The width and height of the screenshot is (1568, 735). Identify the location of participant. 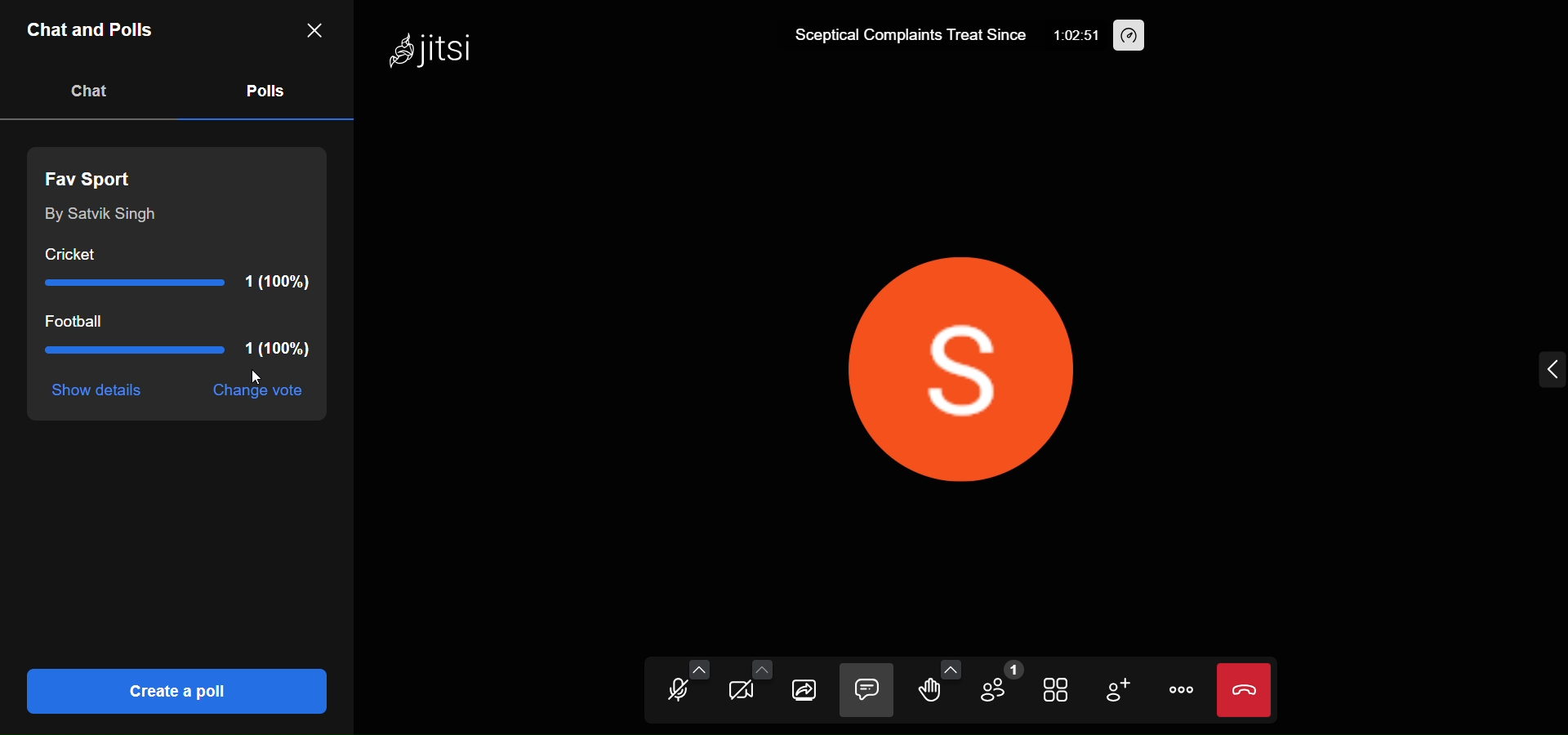
(998, 685).